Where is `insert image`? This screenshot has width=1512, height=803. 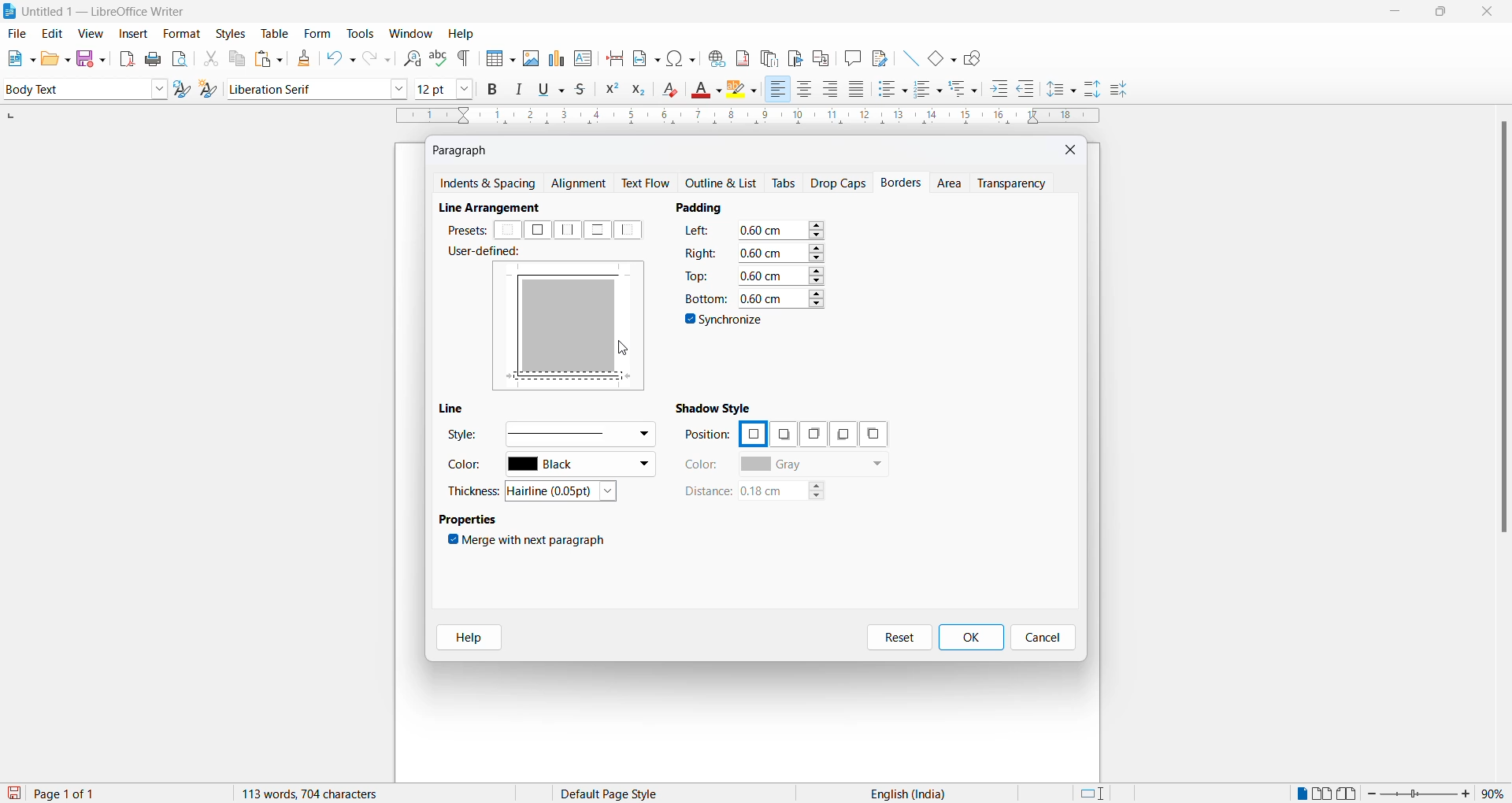
insert image is located at coordinates (530, 58).